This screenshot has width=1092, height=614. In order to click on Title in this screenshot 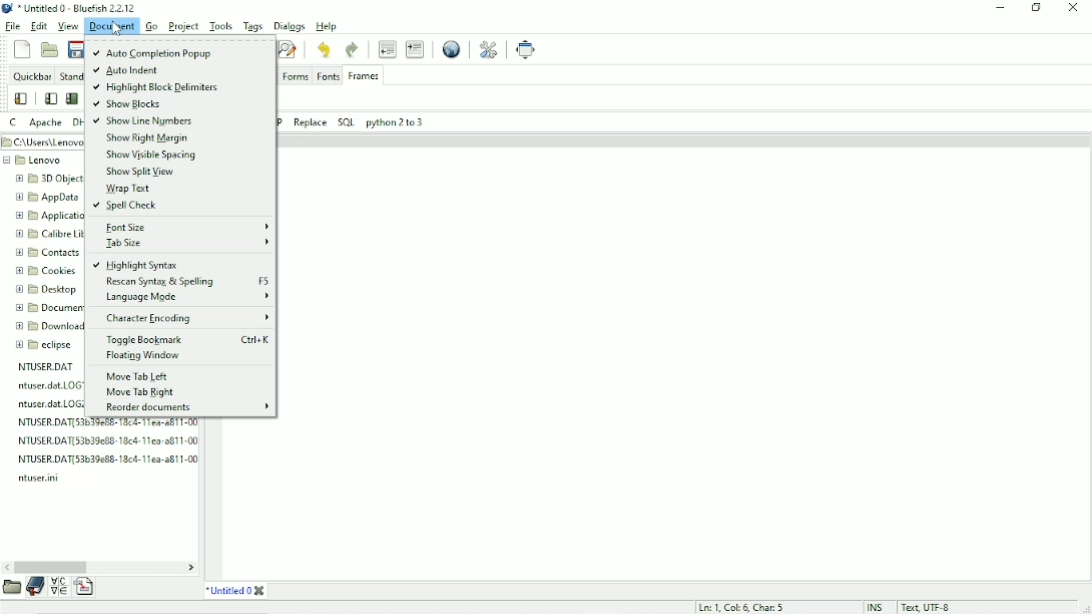, I will do `click(237, 591)`.